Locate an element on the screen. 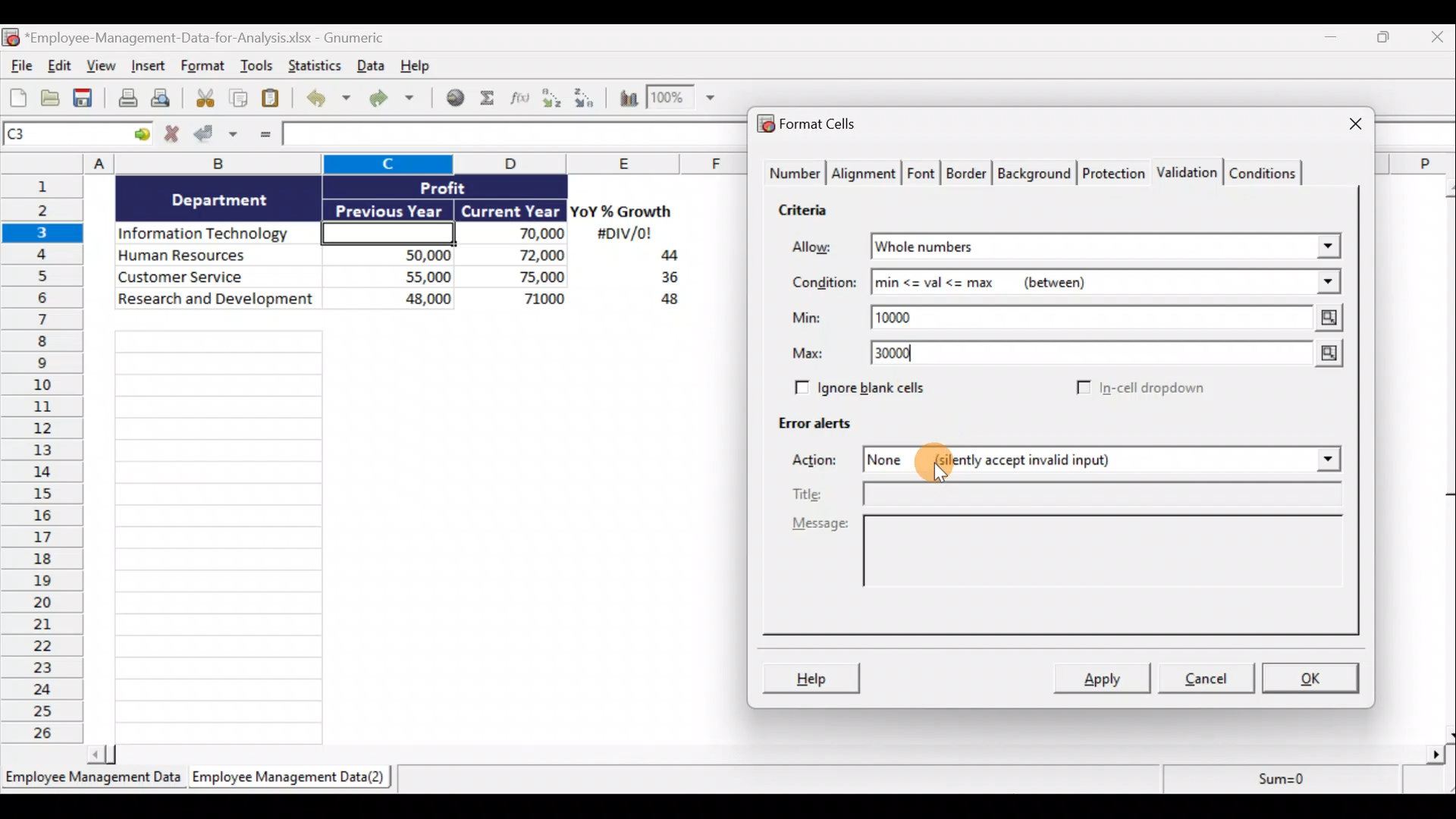 This screenshot has height=819, width=1456. Columns is located at coordinates (380, 163).